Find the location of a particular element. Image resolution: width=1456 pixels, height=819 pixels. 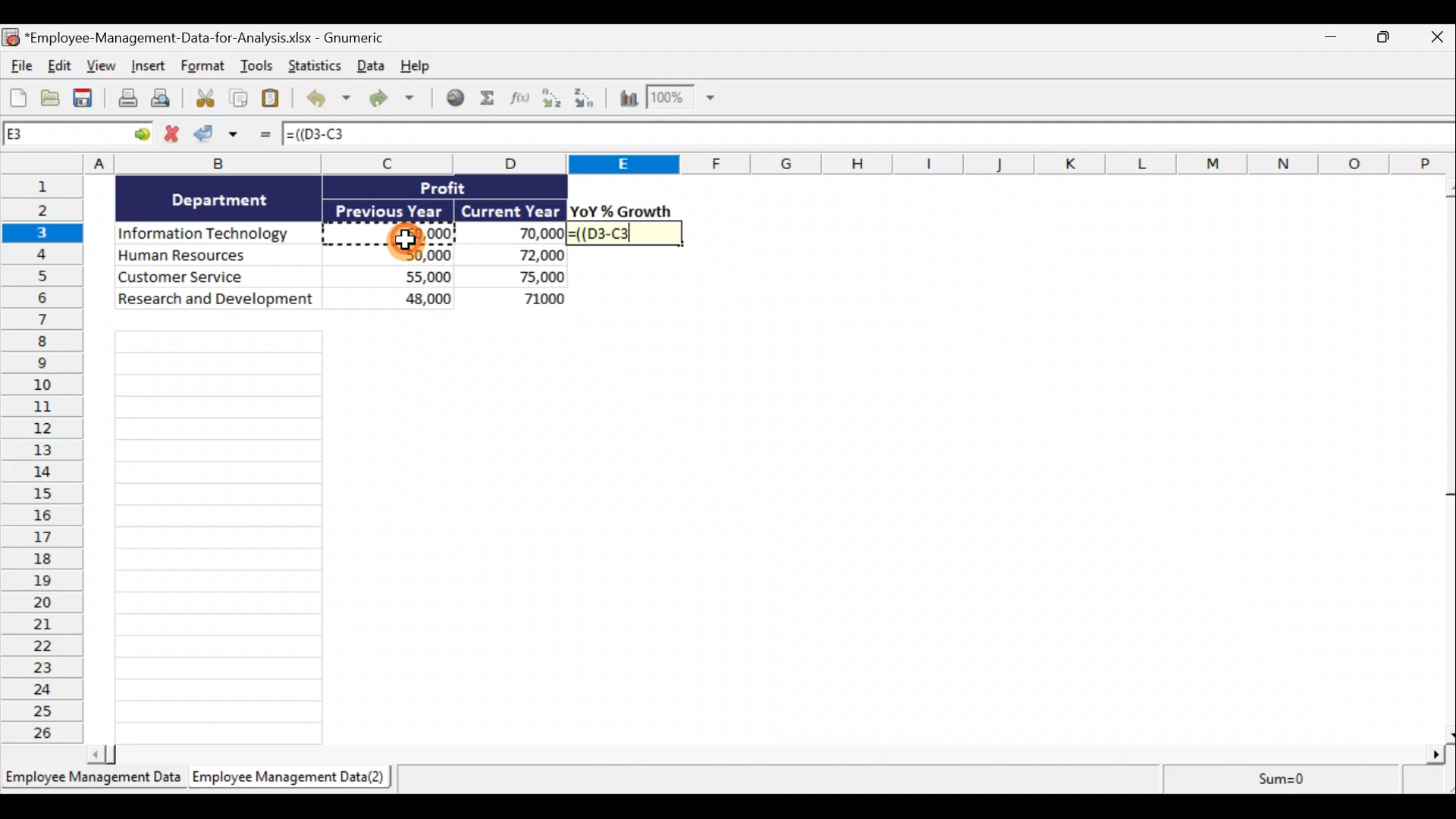

Undo last action is located at coordinates (325, 99).